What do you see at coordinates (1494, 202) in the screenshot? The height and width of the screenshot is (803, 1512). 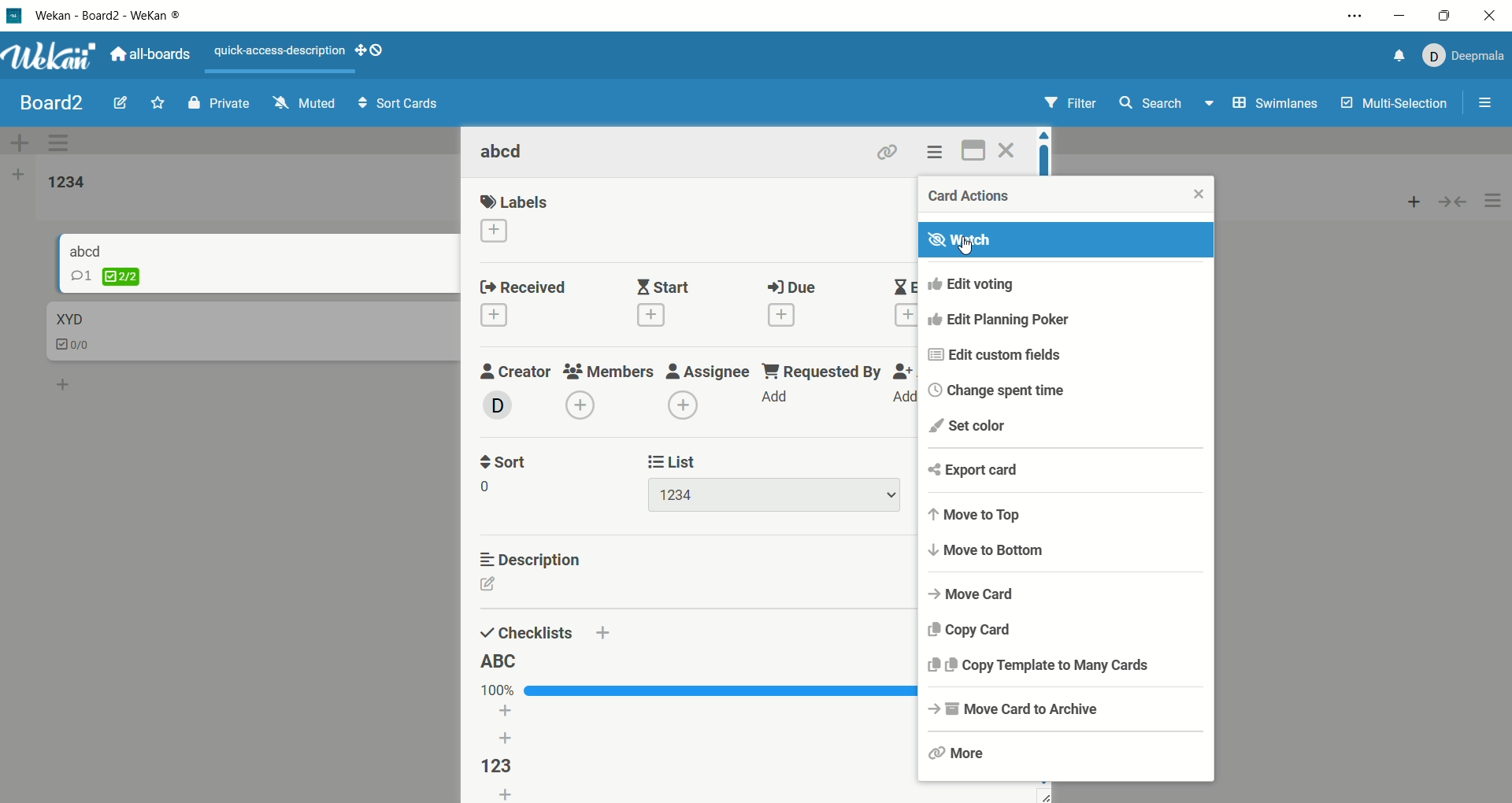 I see `options` at bounding box center [1494, 202].